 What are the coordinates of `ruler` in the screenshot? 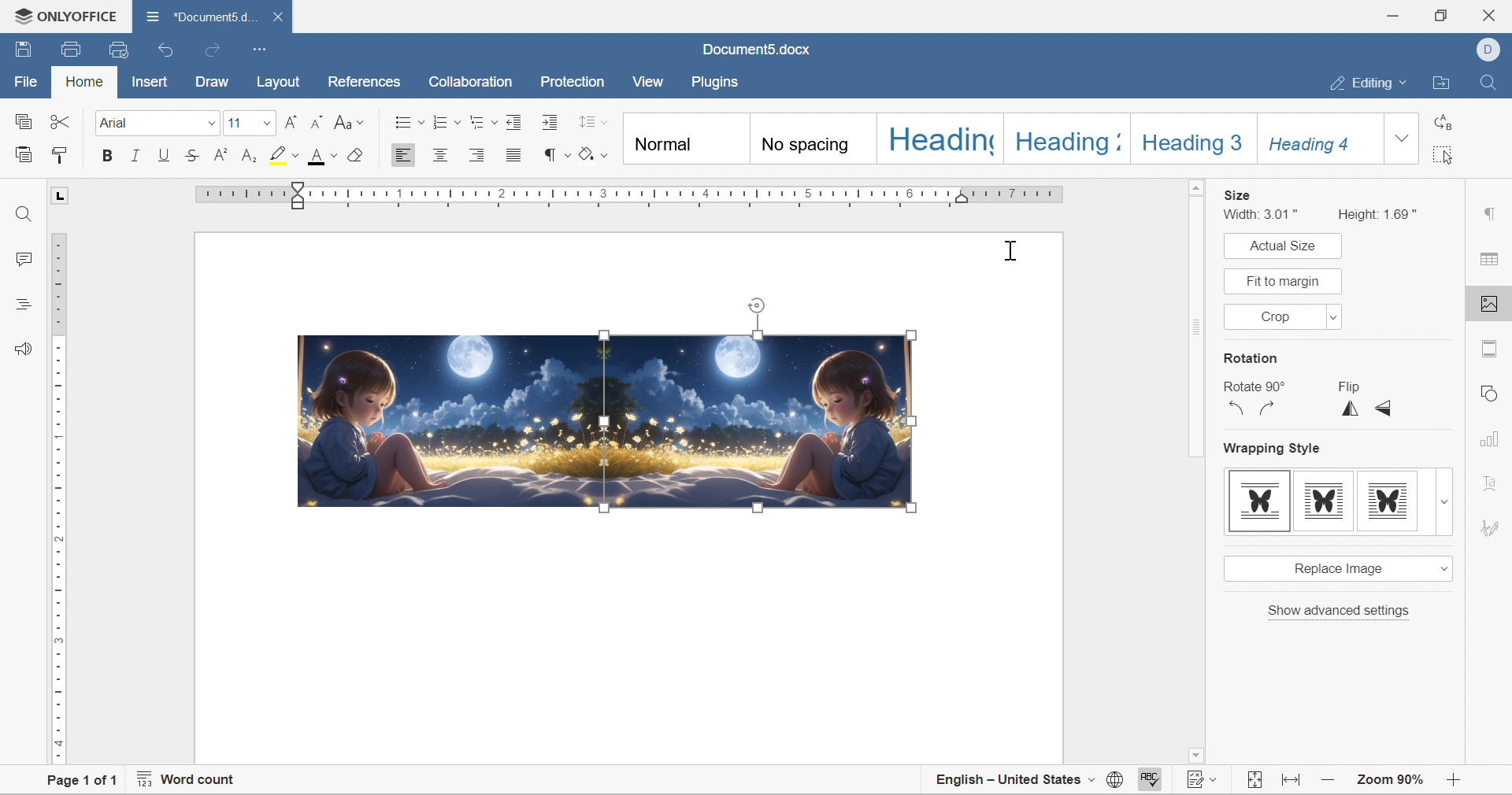 It's located at (59, 500).